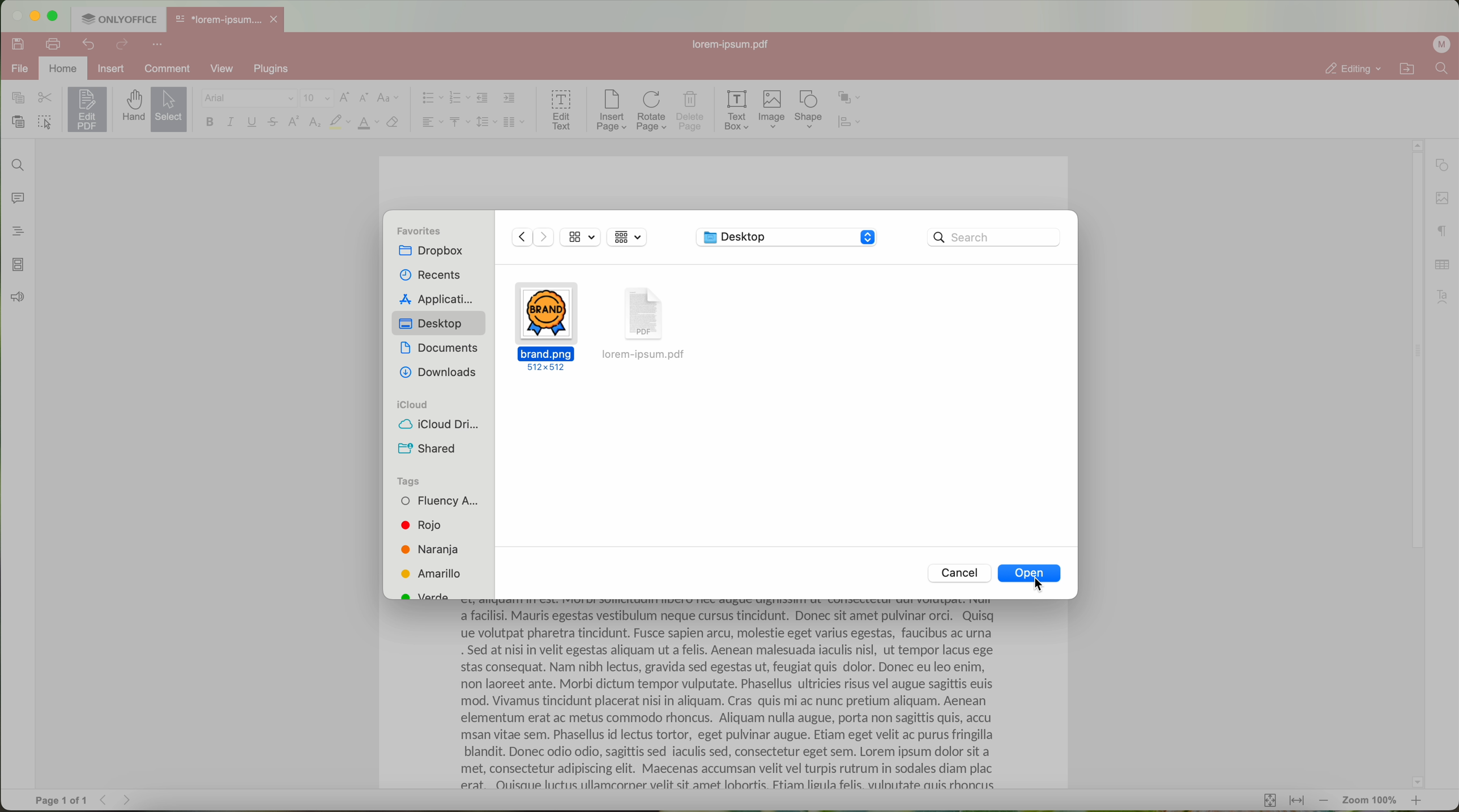 The width and height of the screenshot is (1459, 812). Describe the element at coordinates (54, 16) in the screenshot. I see `maximize` at that location.